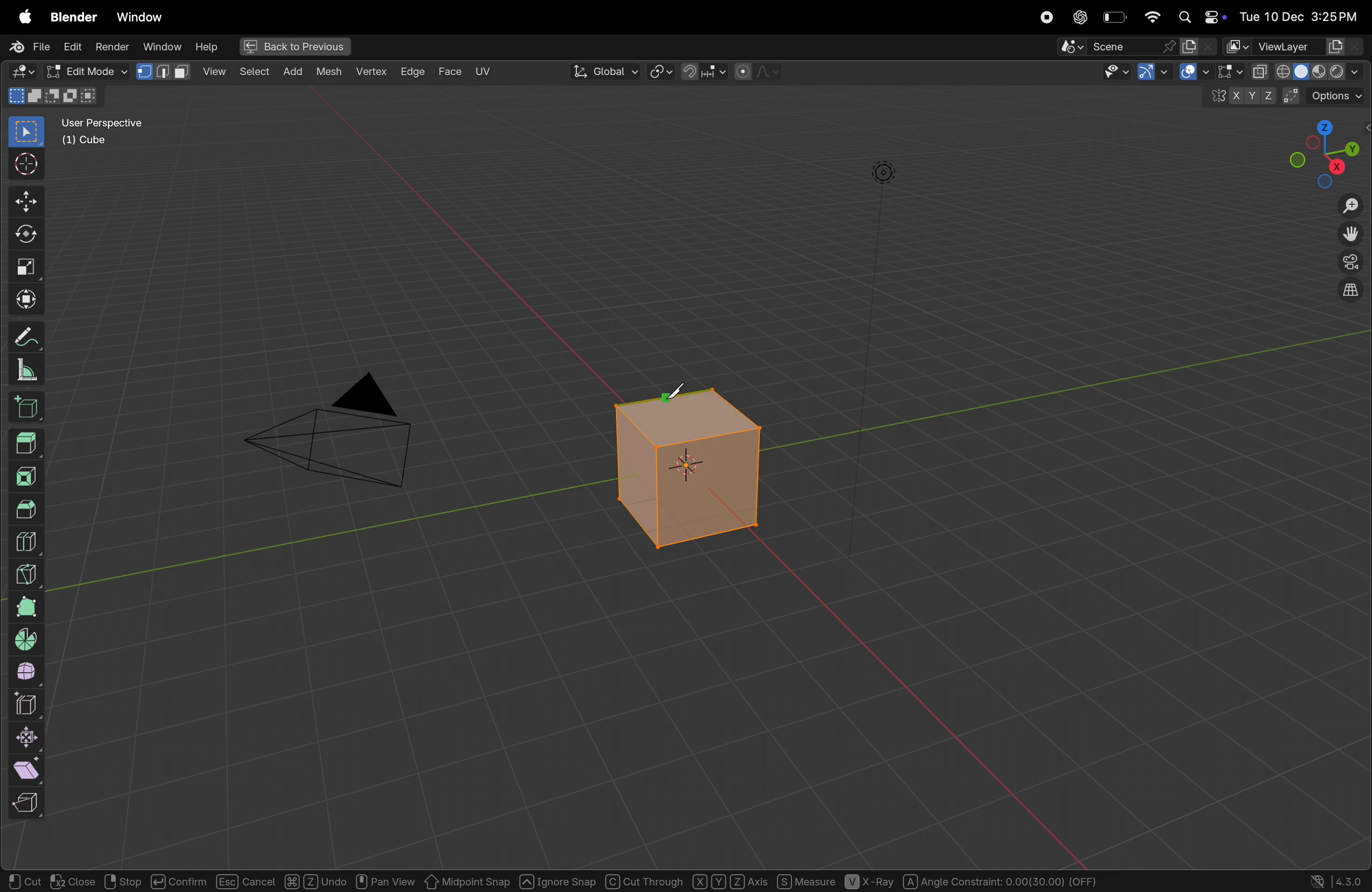  I want to click on Angle Constraint: 0.00(30.00) (OFF), so click(1000, 880).